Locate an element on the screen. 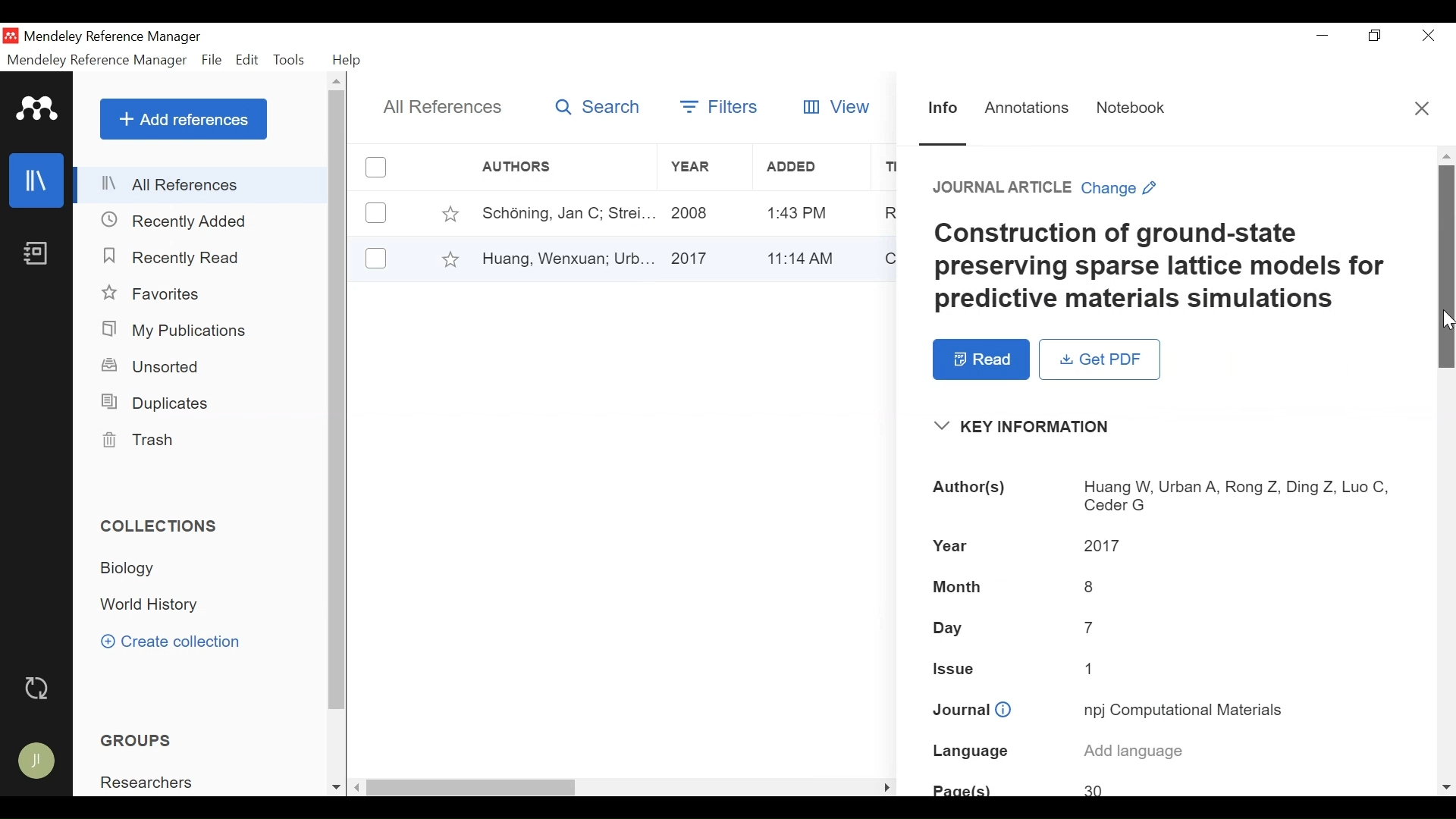  (un)select is located at coordinates (376, 258).